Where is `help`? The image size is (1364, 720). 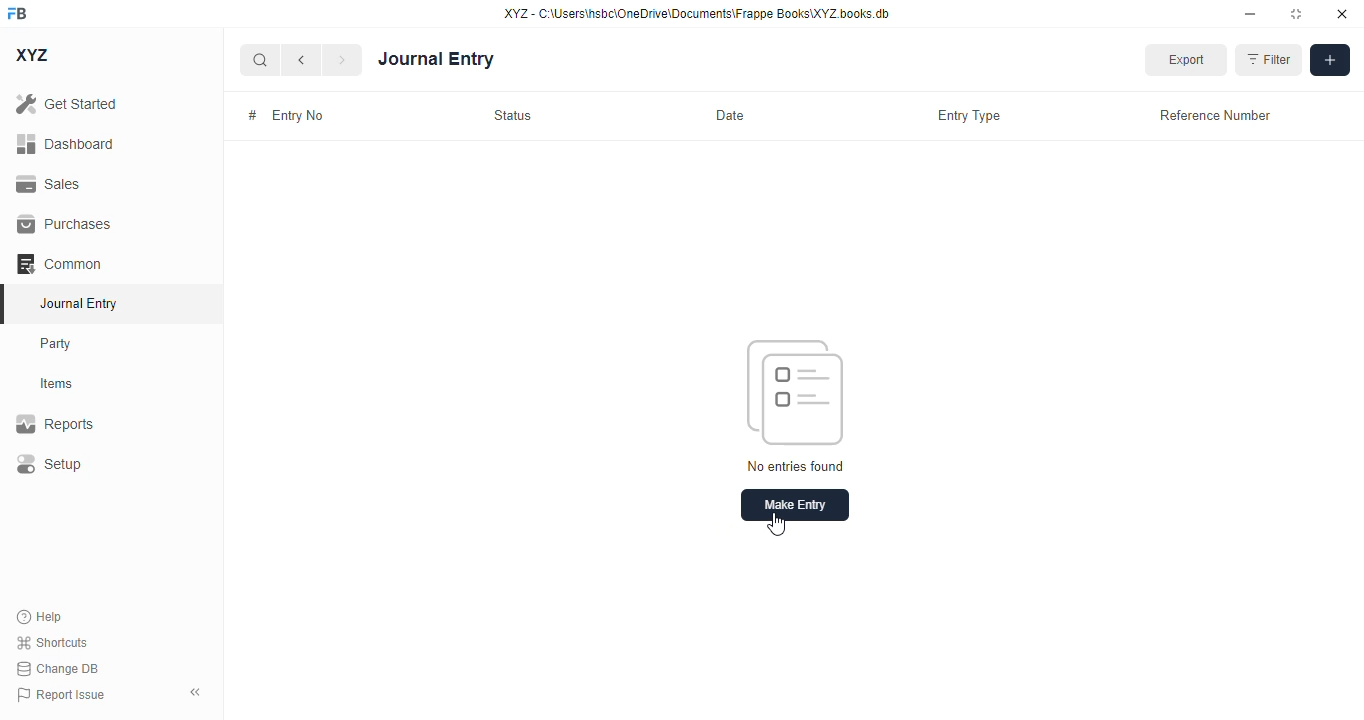 help is located at coordinates (40, 617).